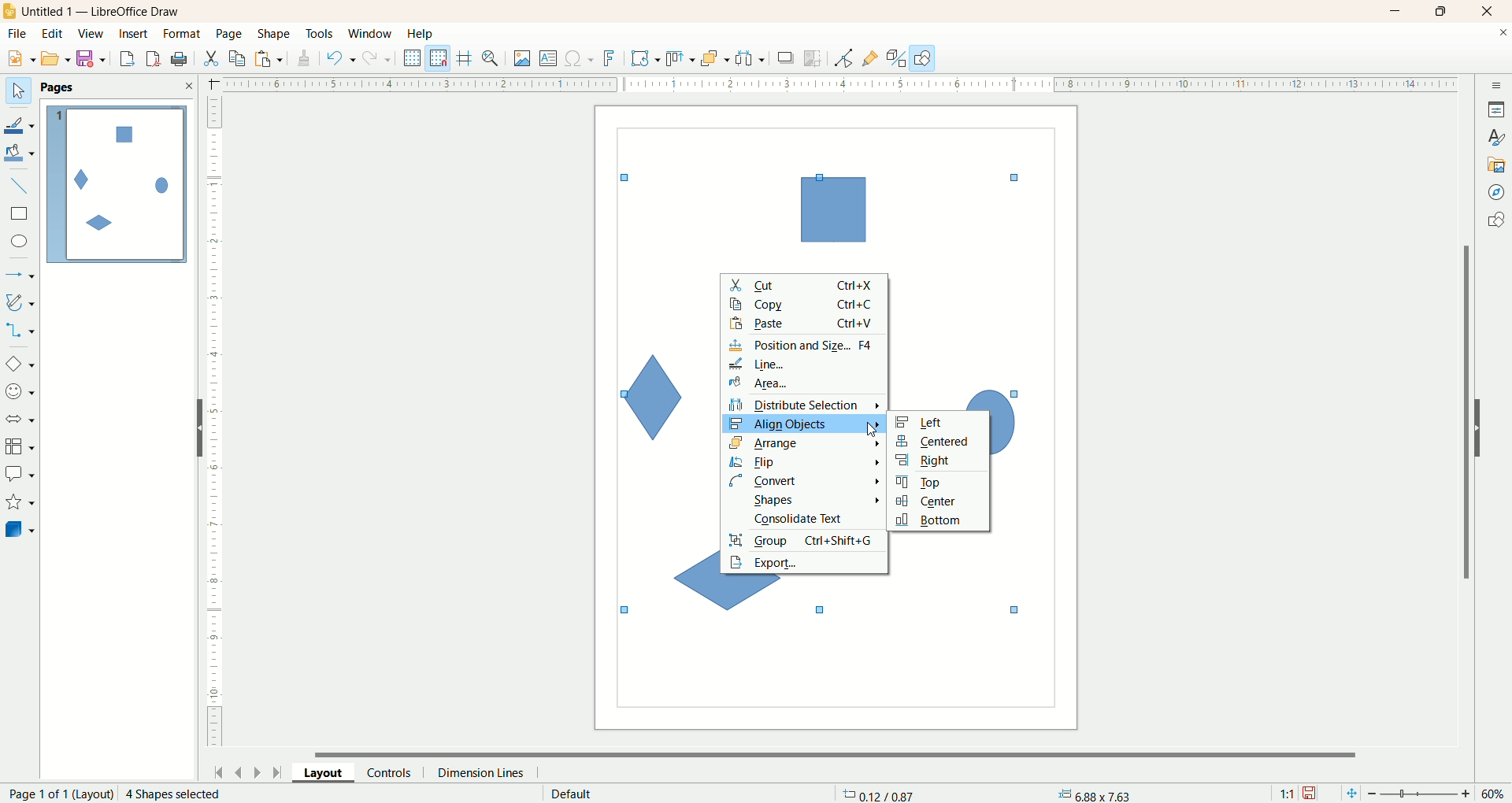 The height and width of the screenshot is (803, 1512). Describe the element at coordinates (210, 58) in the screenshot. I see `cut` at that location.